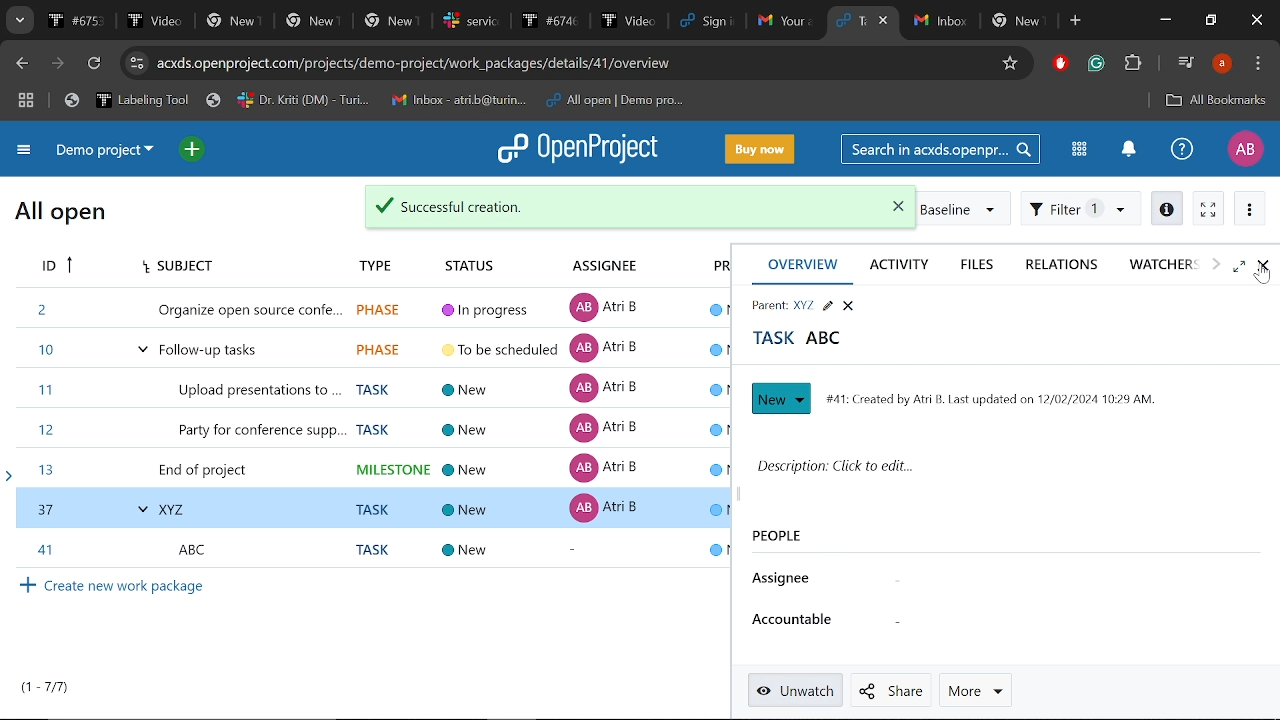 The height and width of the screenshot is (720, 1280). I want to click on All open, so click(61, 215).